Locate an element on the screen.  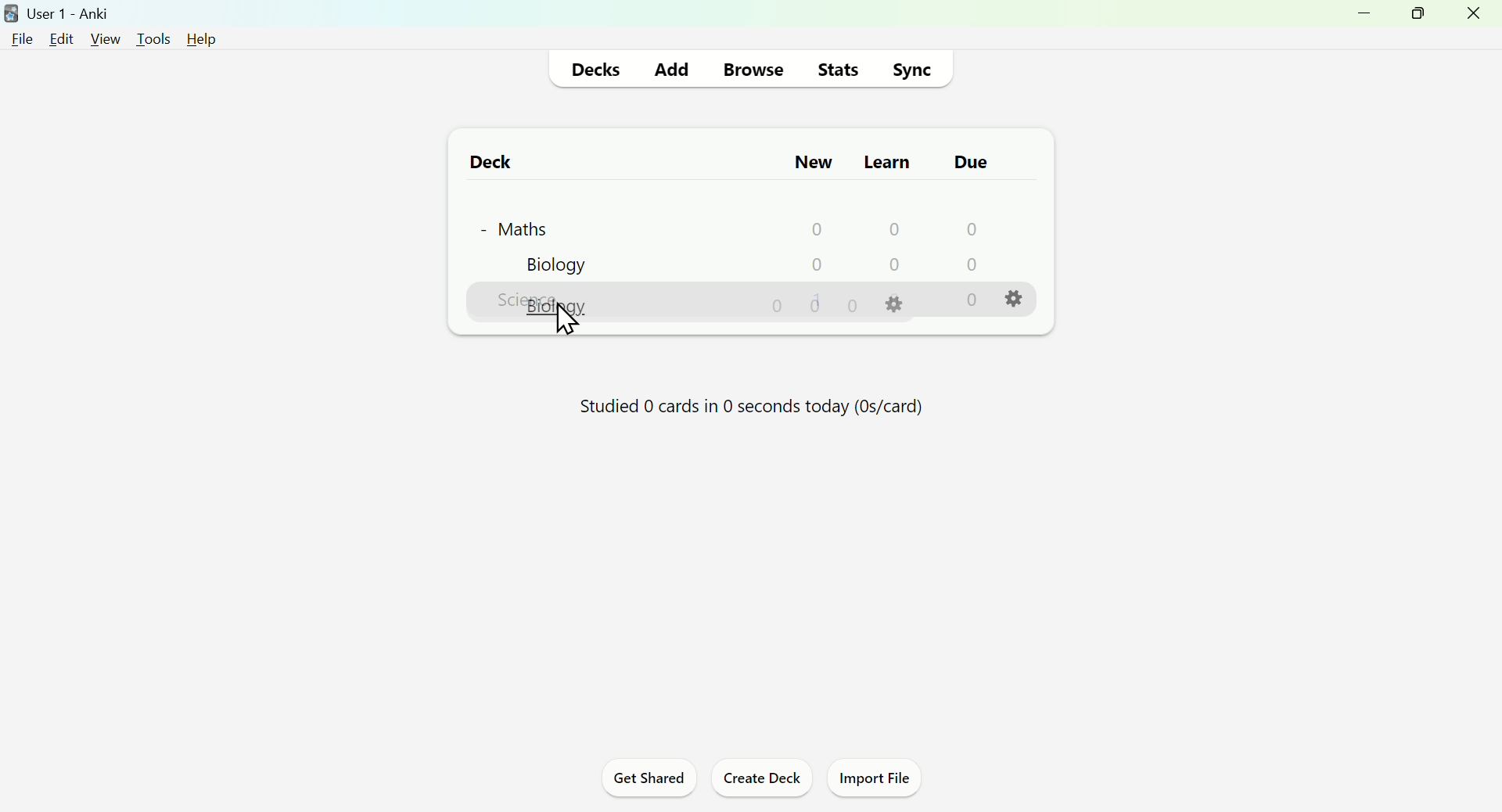
Close is located at coordinates (1476, 18).